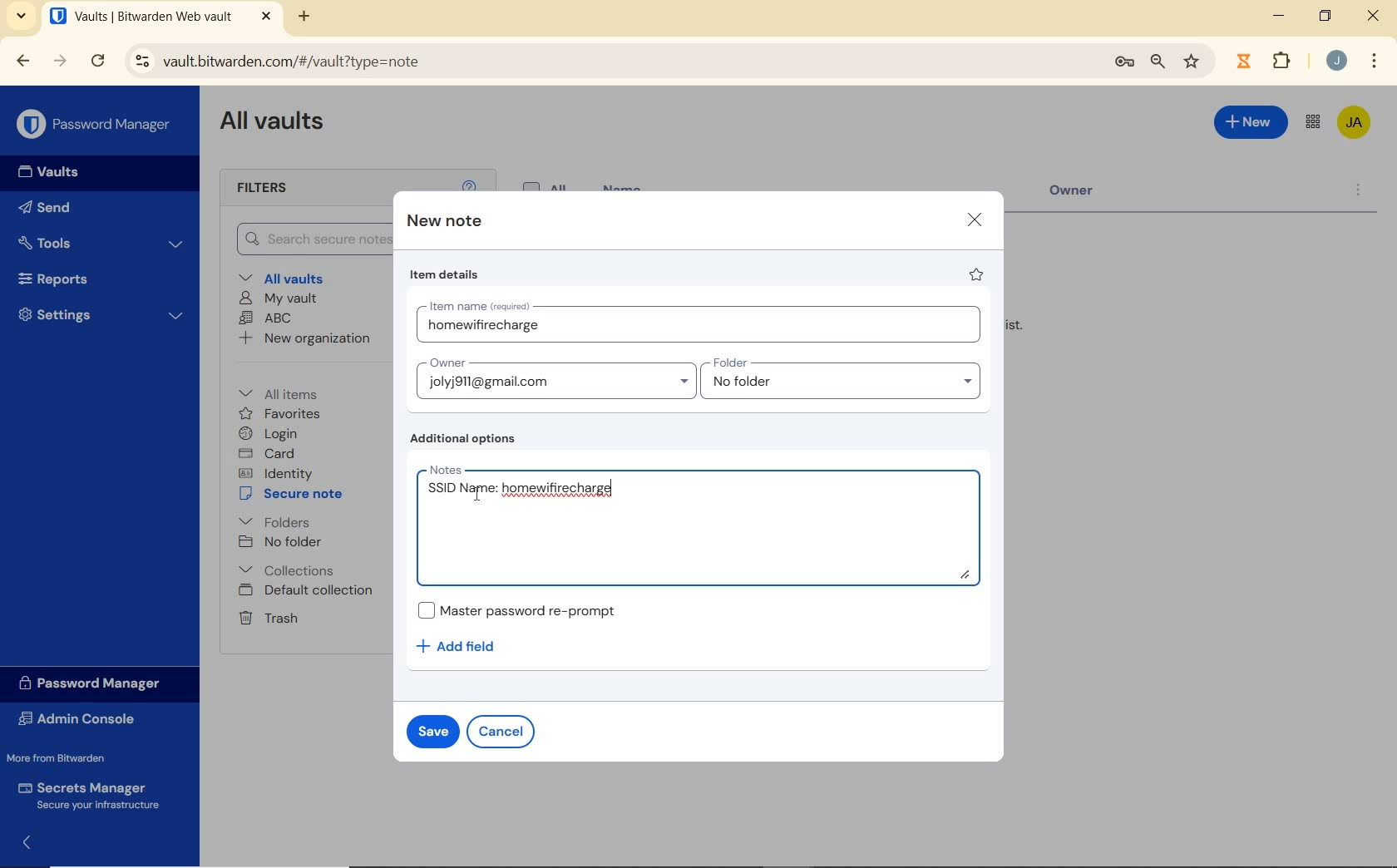 Image resolution: width=1397 pixels, height=868 pixels. What do you see at coordinates (271, 433) in the screenshot?
I see `login` at bounding box center [271, 433].